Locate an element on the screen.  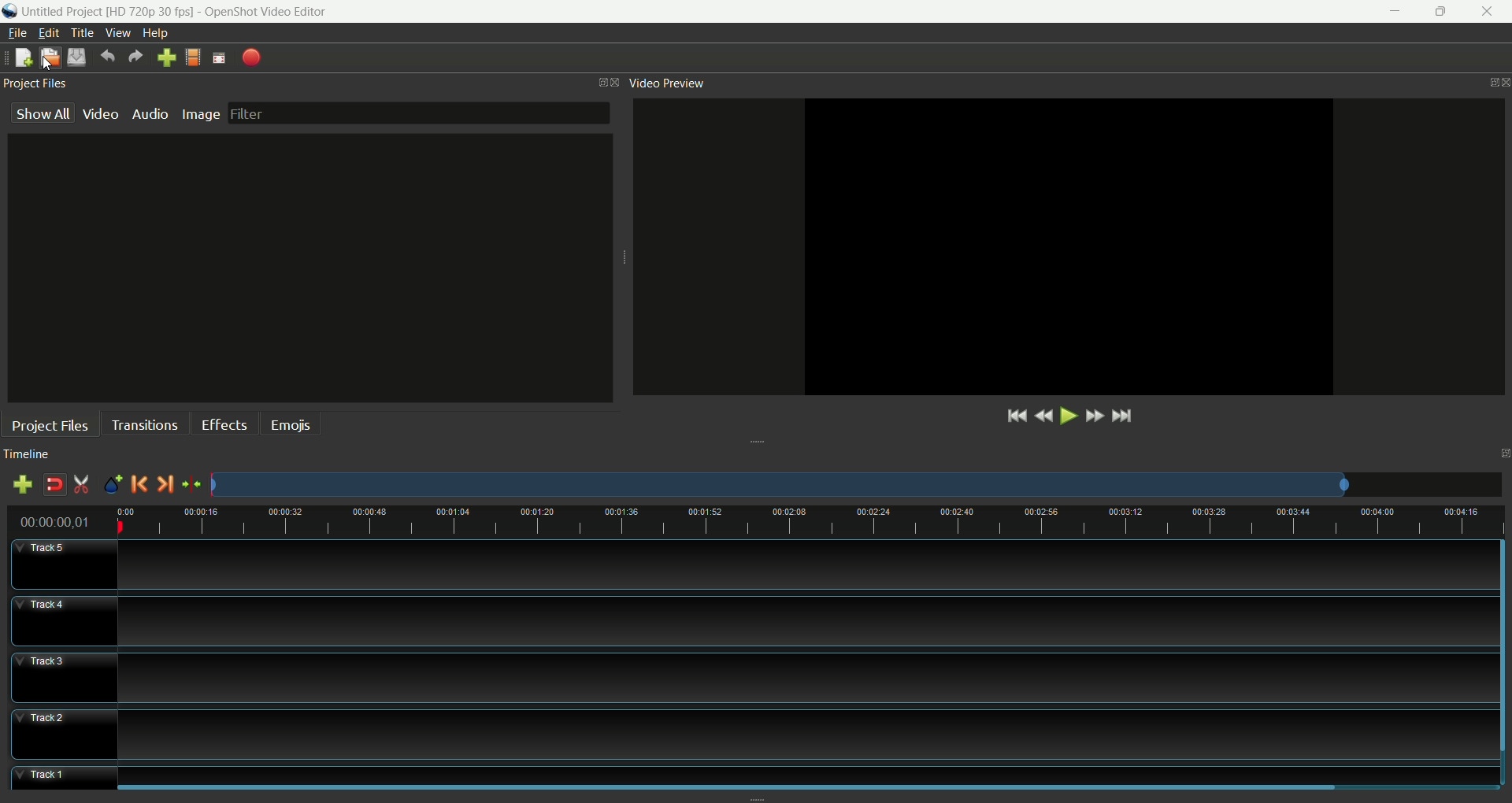
track 3 is located at coordinates (797, 674).